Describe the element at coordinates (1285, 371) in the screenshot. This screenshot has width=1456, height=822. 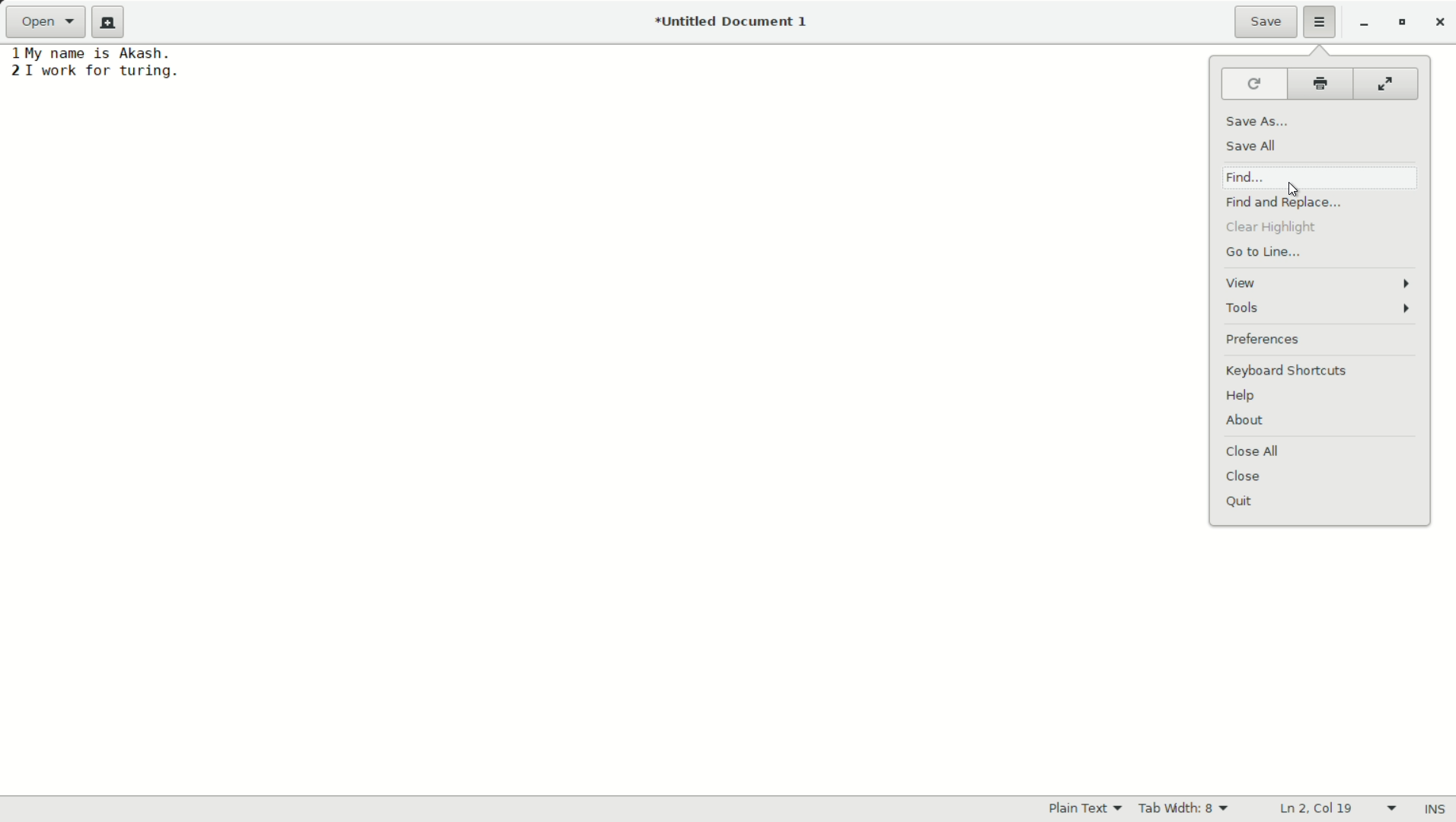
I see `keyboard shortcuts` at that location.